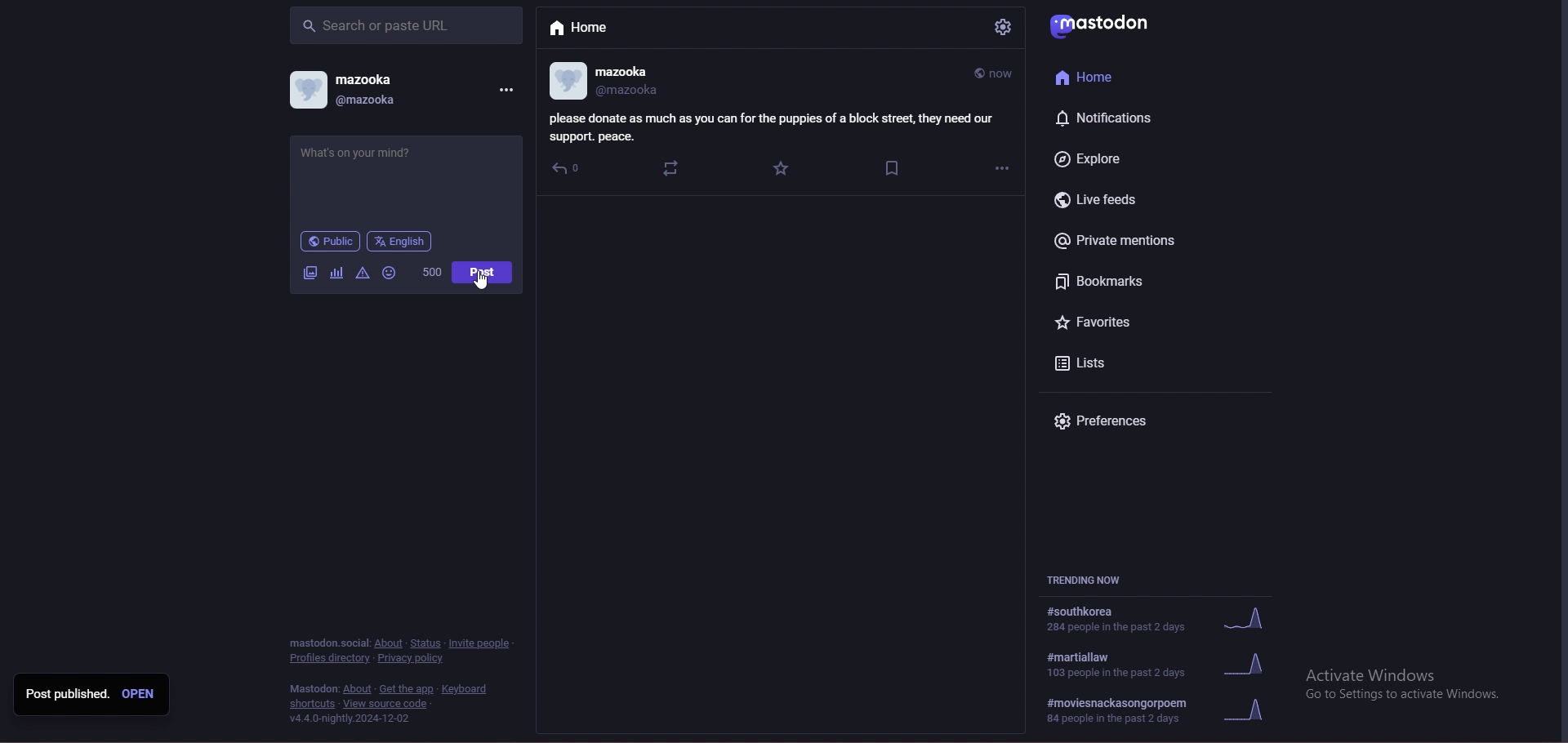  I want to click on post published, so click(64, 696).